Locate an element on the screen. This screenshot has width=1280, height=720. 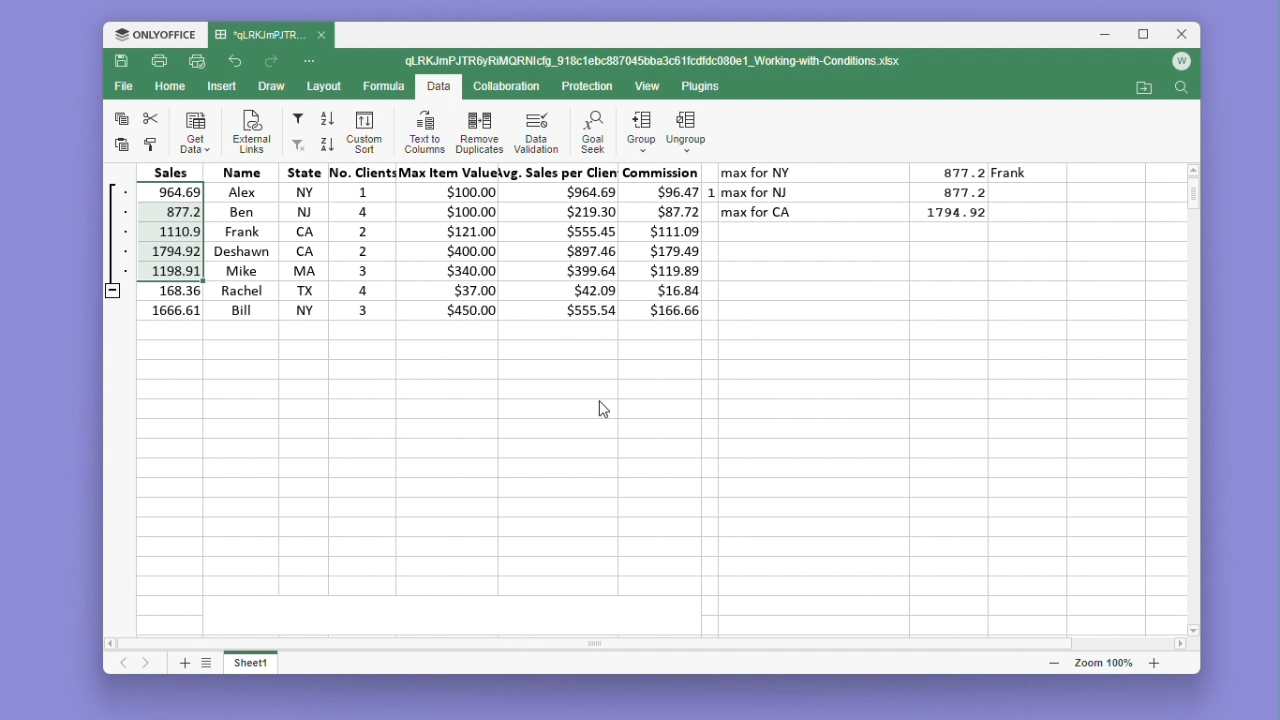
Layout is located at coordinates (325, 86).